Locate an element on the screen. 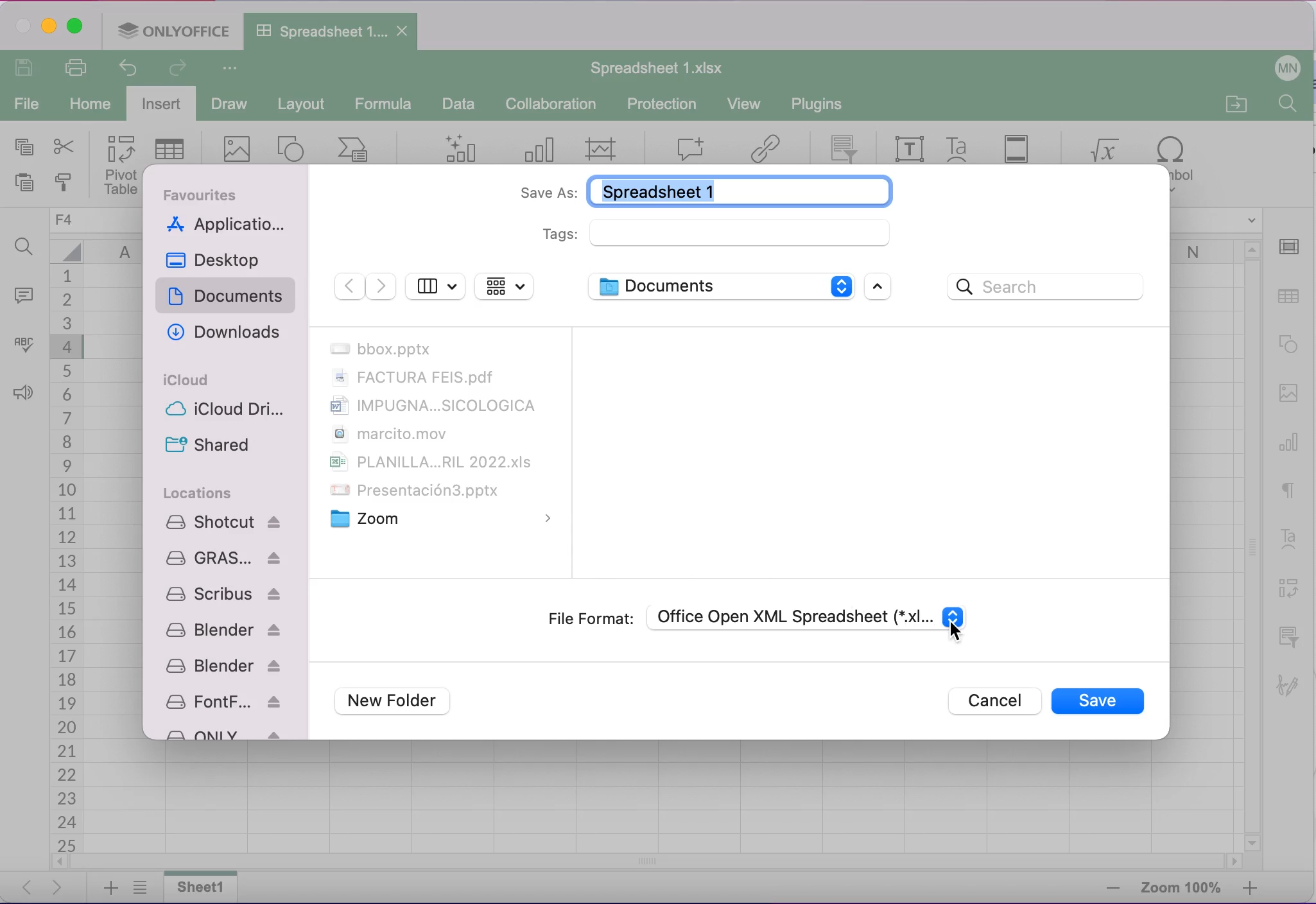 The width and height of the screenshot is (1316, 904). locations aps is located at coordinates (225, 625).